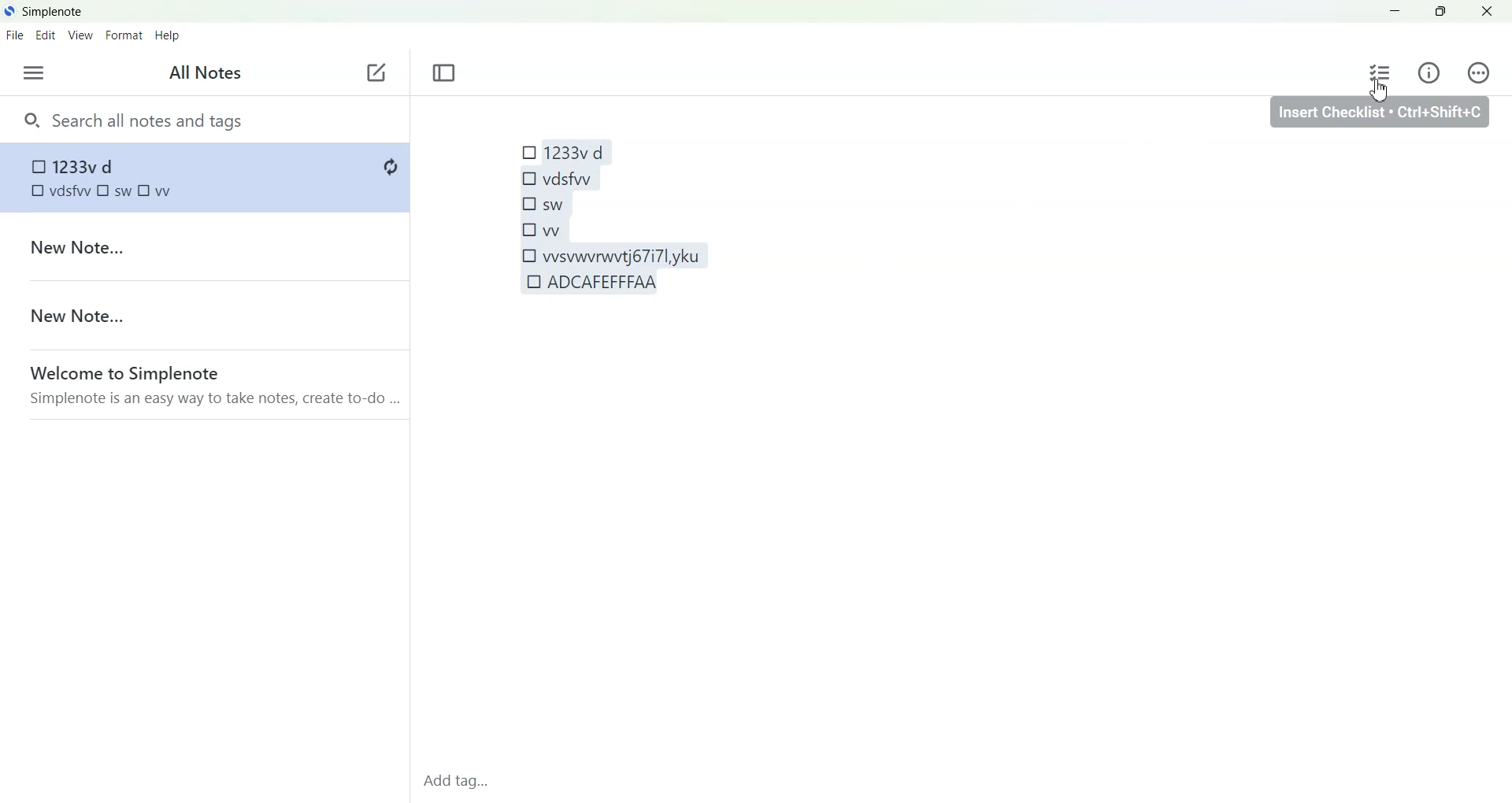  Describe the element at coordinates (1384, 113) in the screenshot. I see `insert checklist ctrl+shift+c` at that location.